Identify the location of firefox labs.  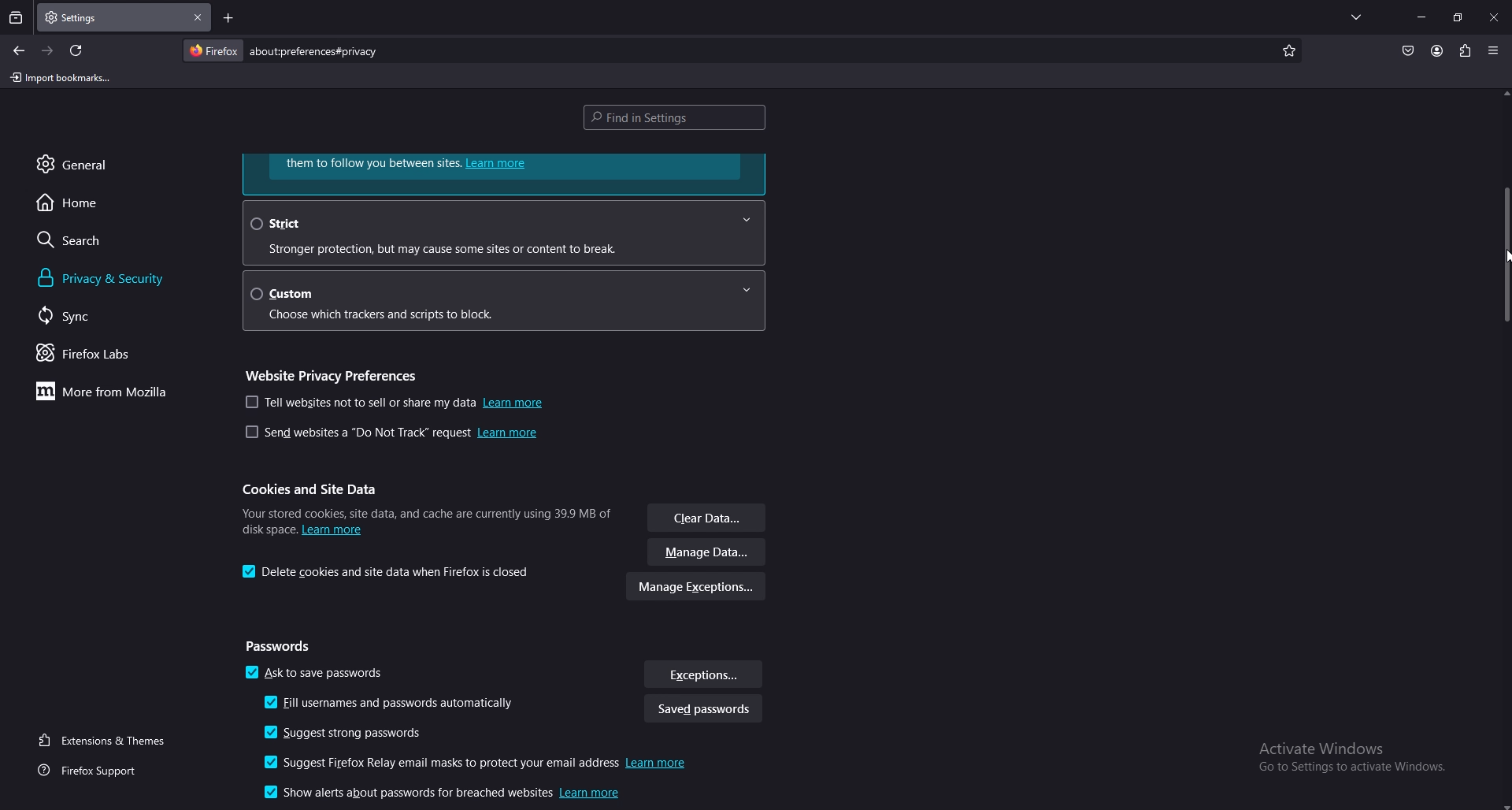
(100, 355).